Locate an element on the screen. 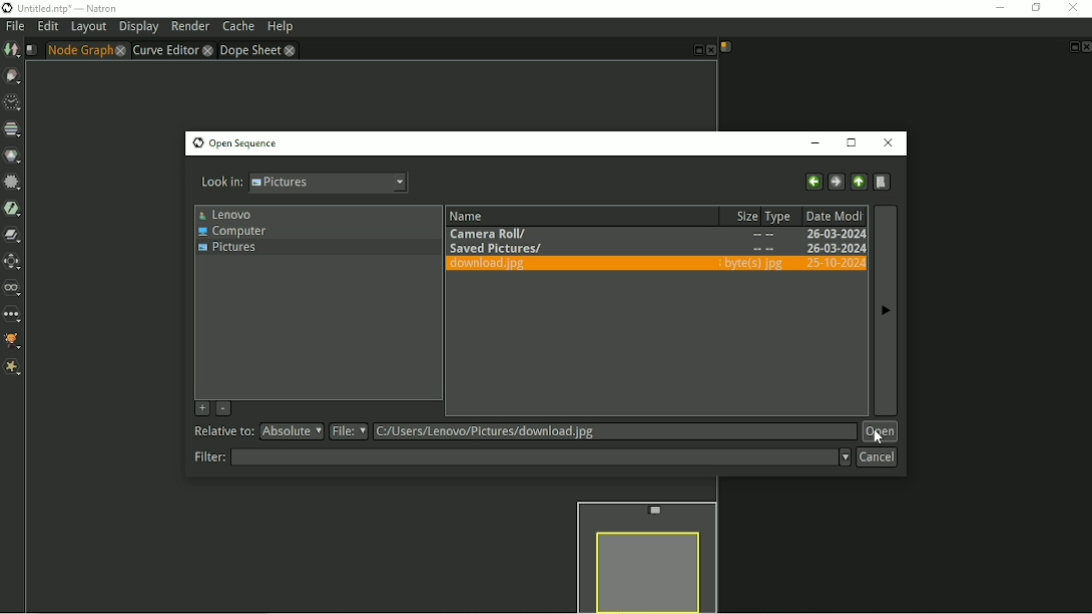 The width and height of the screenshot is (1092, 614). Keyer is located at coordinates (13, 208).